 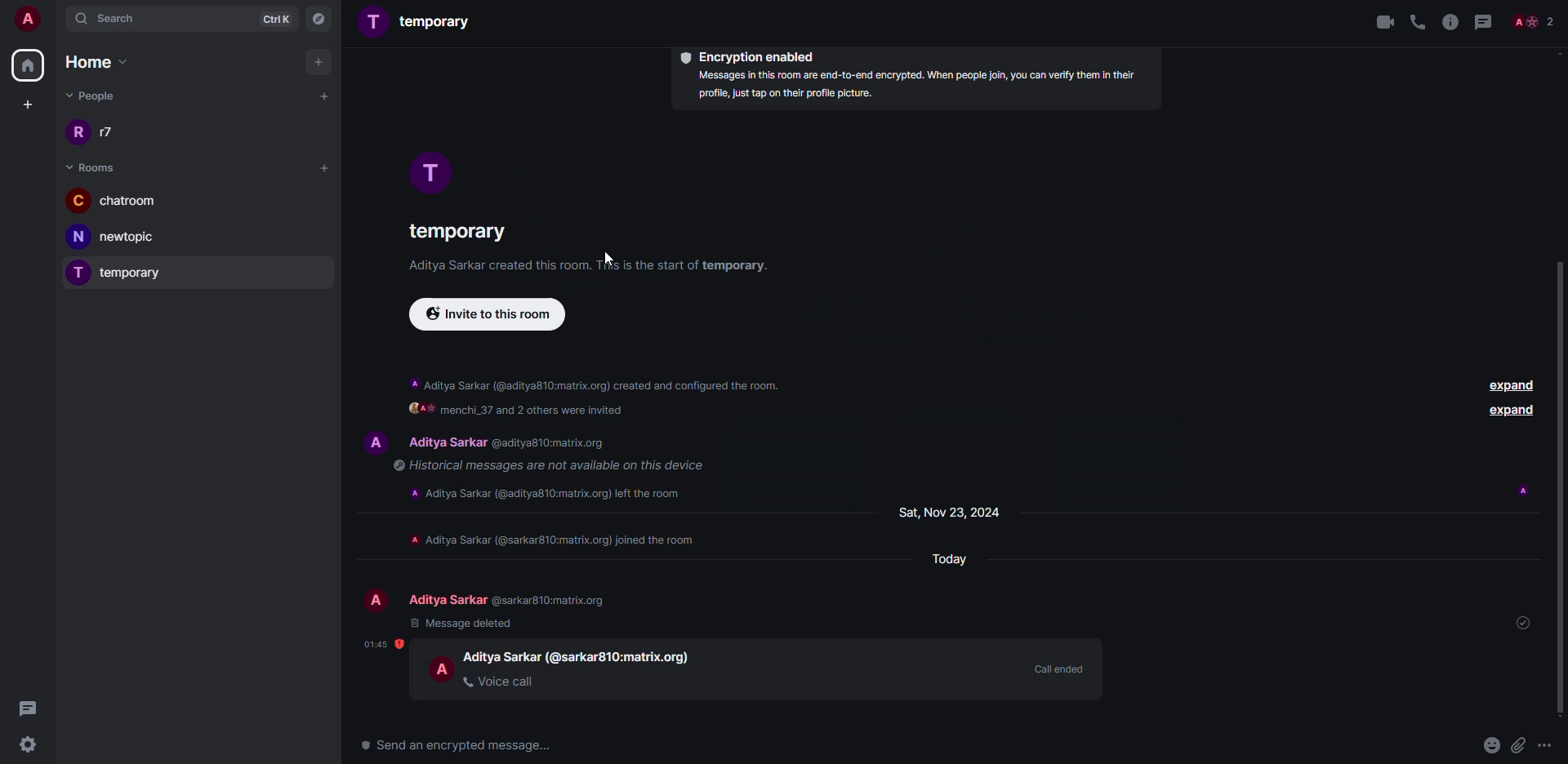 What do you see at coordinates (595, 398) in the screenshot?
I see `info` at bounding box center [595, 398].